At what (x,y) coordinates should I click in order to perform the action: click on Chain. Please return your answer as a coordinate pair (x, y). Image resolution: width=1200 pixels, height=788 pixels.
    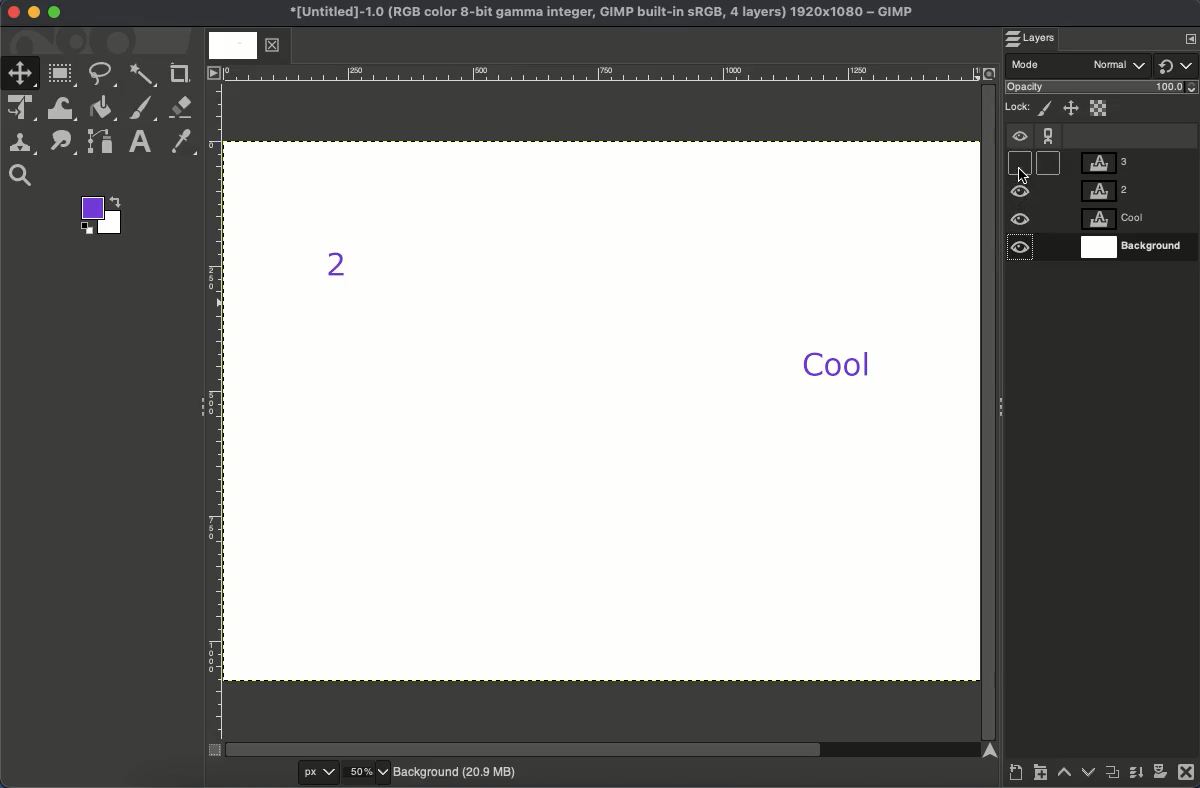
    Looking at the image, I should click on (1049, 131).